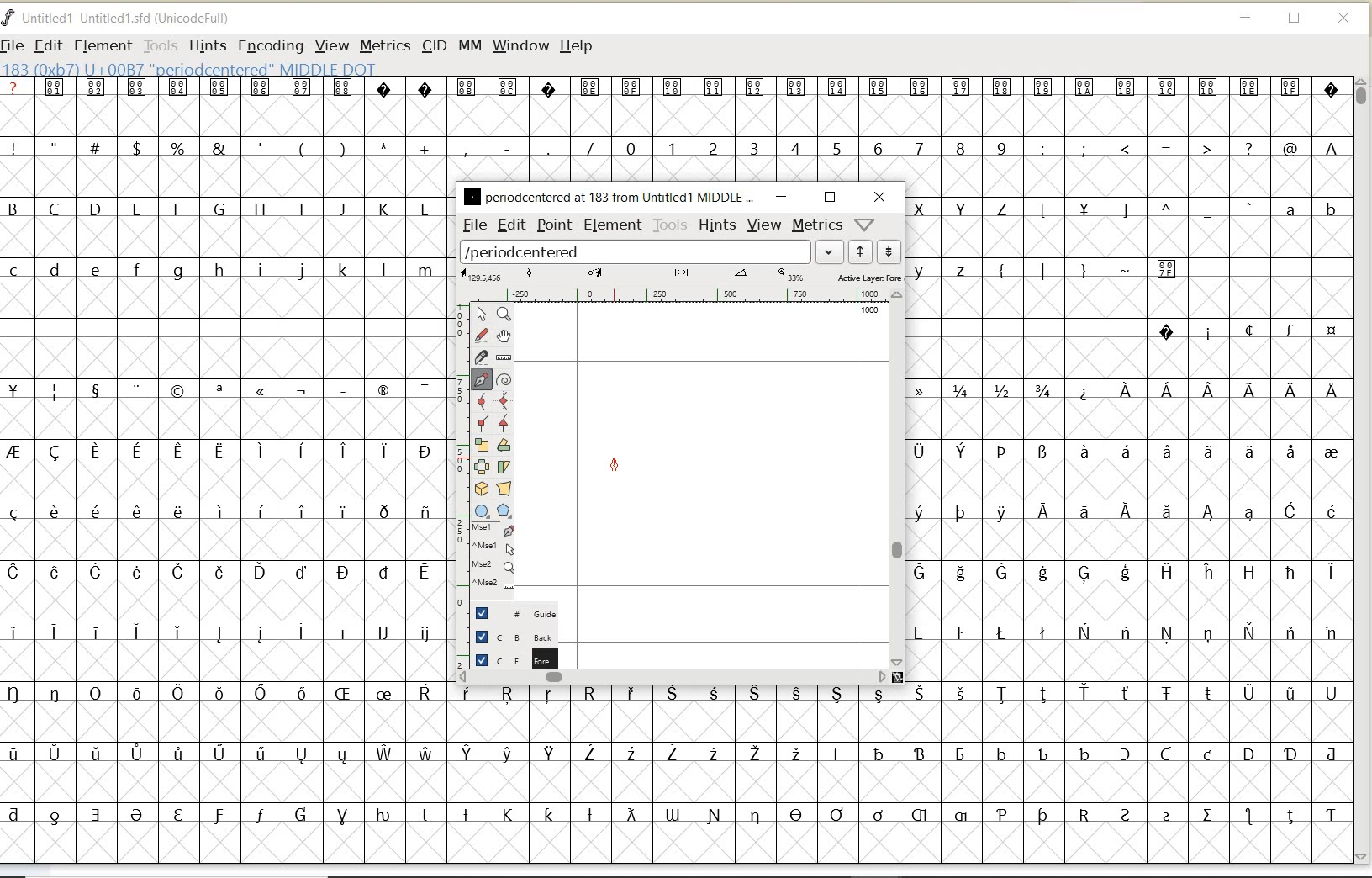 This screenshot has height=878, width=1372. What do you see at coordinates (14, 45) in the screenshot?
I see `FILE` at bounding box center [14, 45].